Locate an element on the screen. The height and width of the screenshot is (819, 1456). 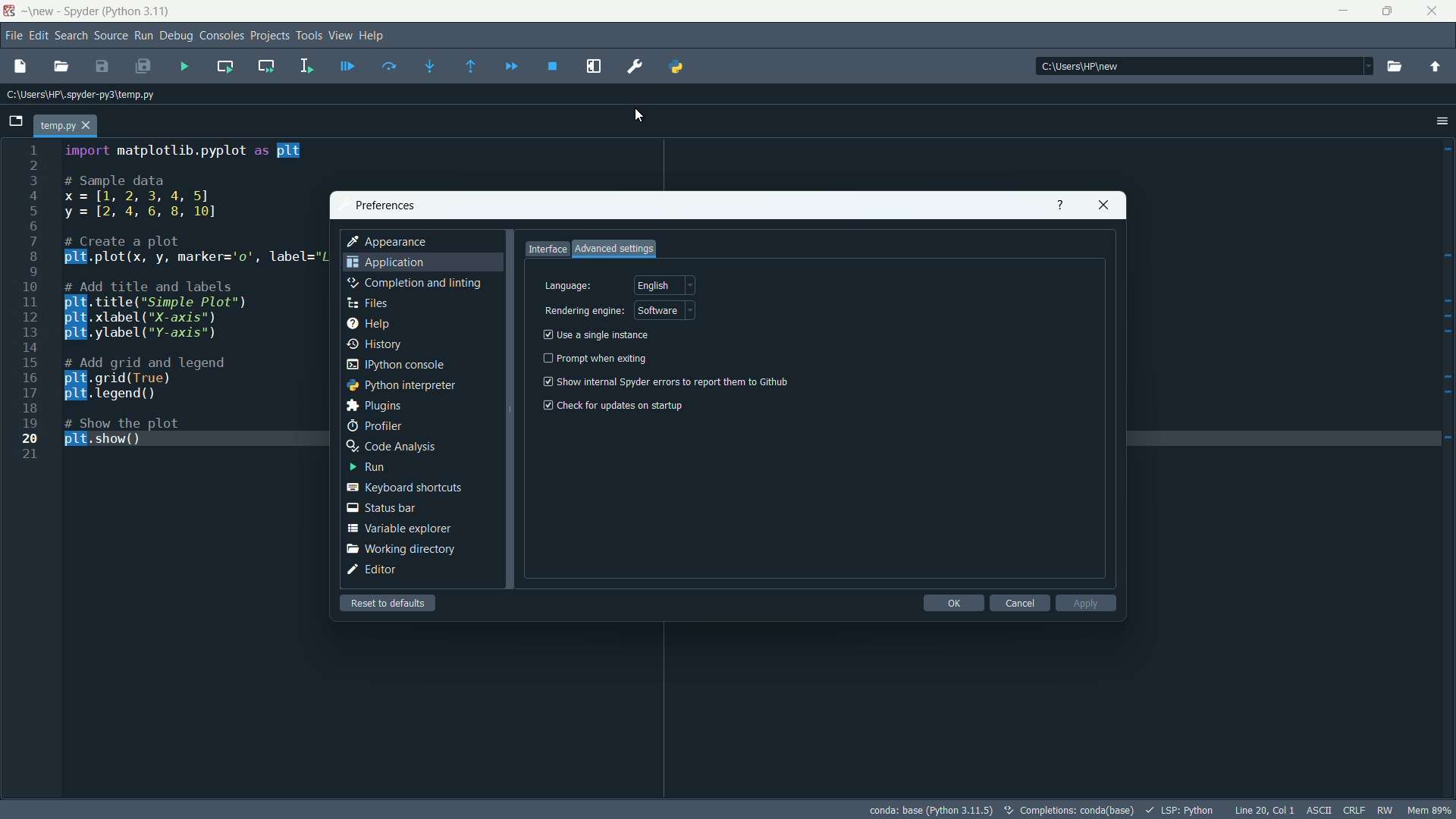
open file is located at coordinates (62, 67).